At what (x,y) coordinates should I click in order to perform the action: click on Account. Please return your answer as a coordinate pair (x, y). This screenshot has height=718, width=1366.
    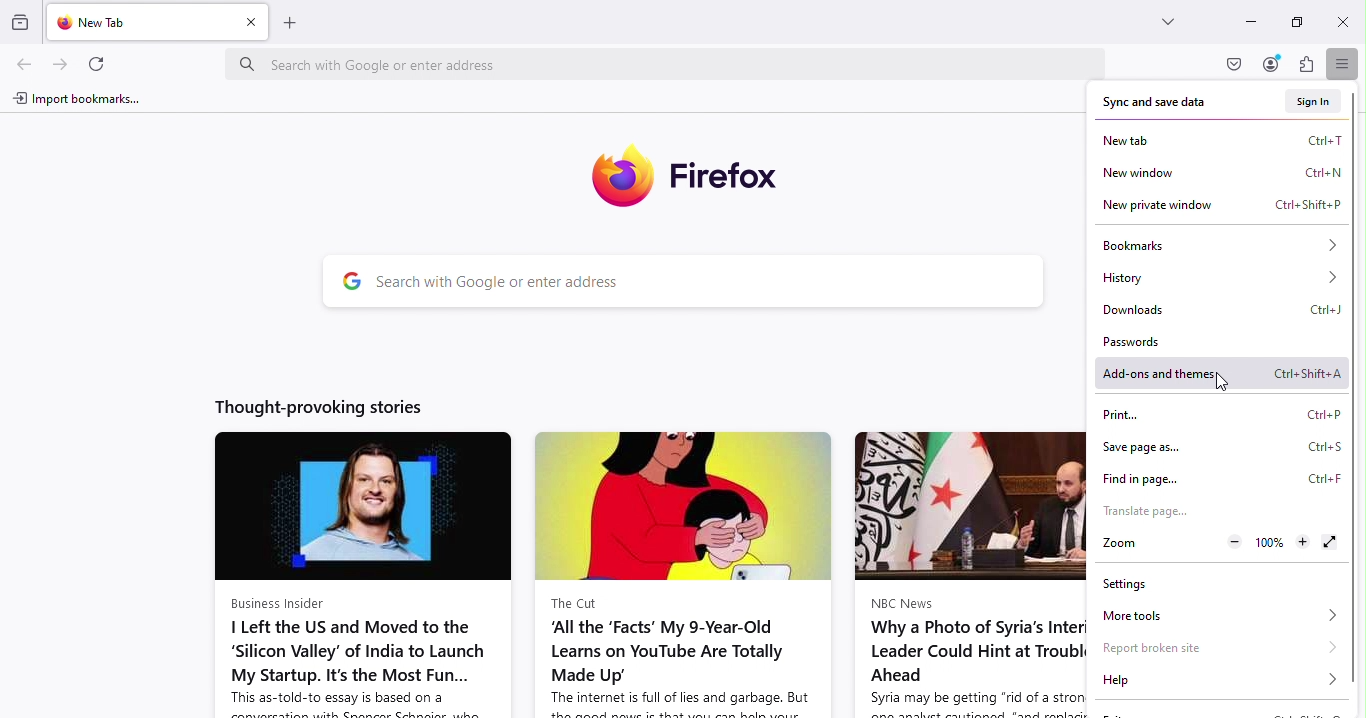
    Looking at the image, I should click on (1267, 65).